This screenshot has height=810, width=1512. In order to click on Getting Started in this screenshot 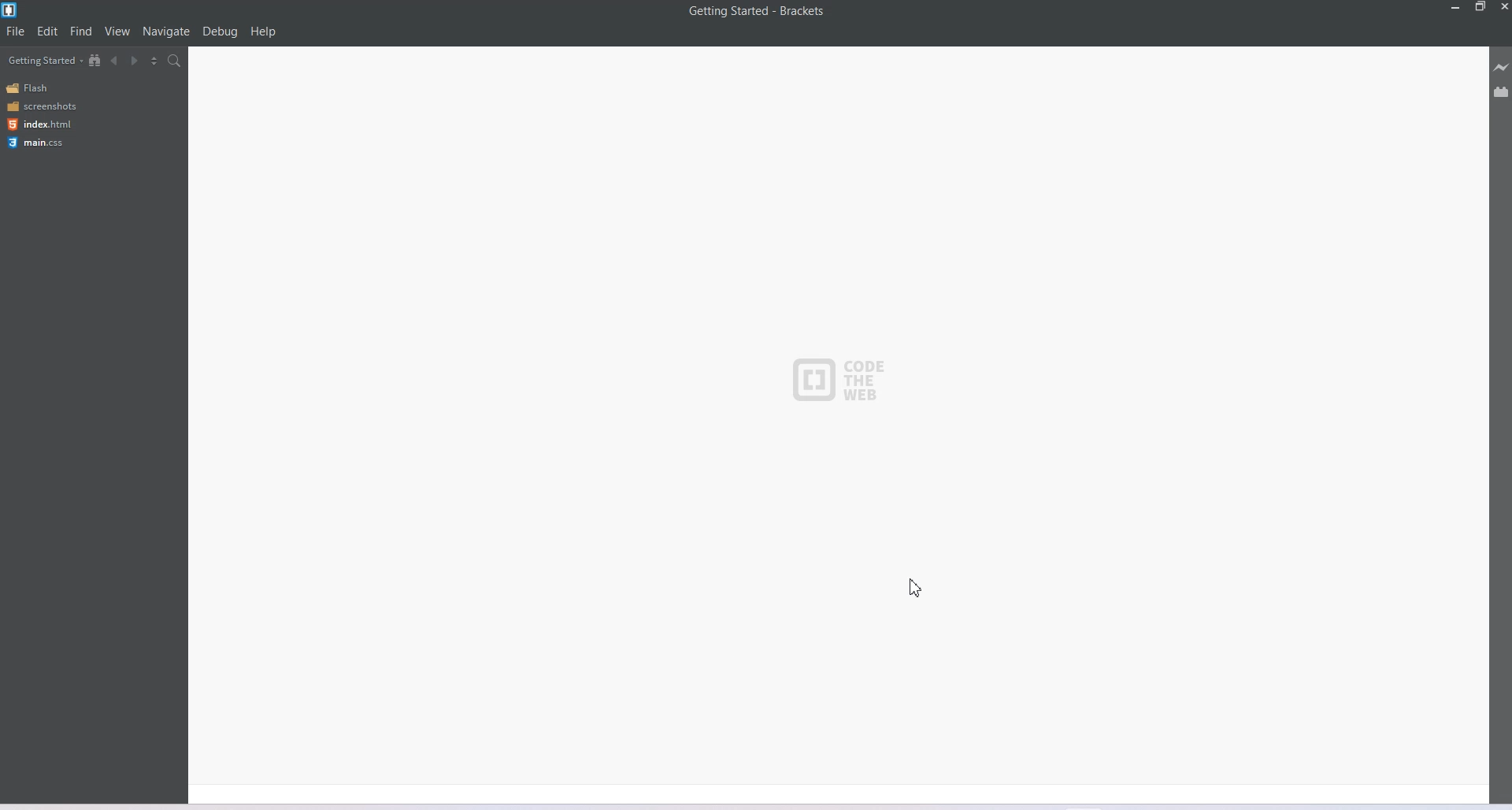, I will do `click(45, 60)`.